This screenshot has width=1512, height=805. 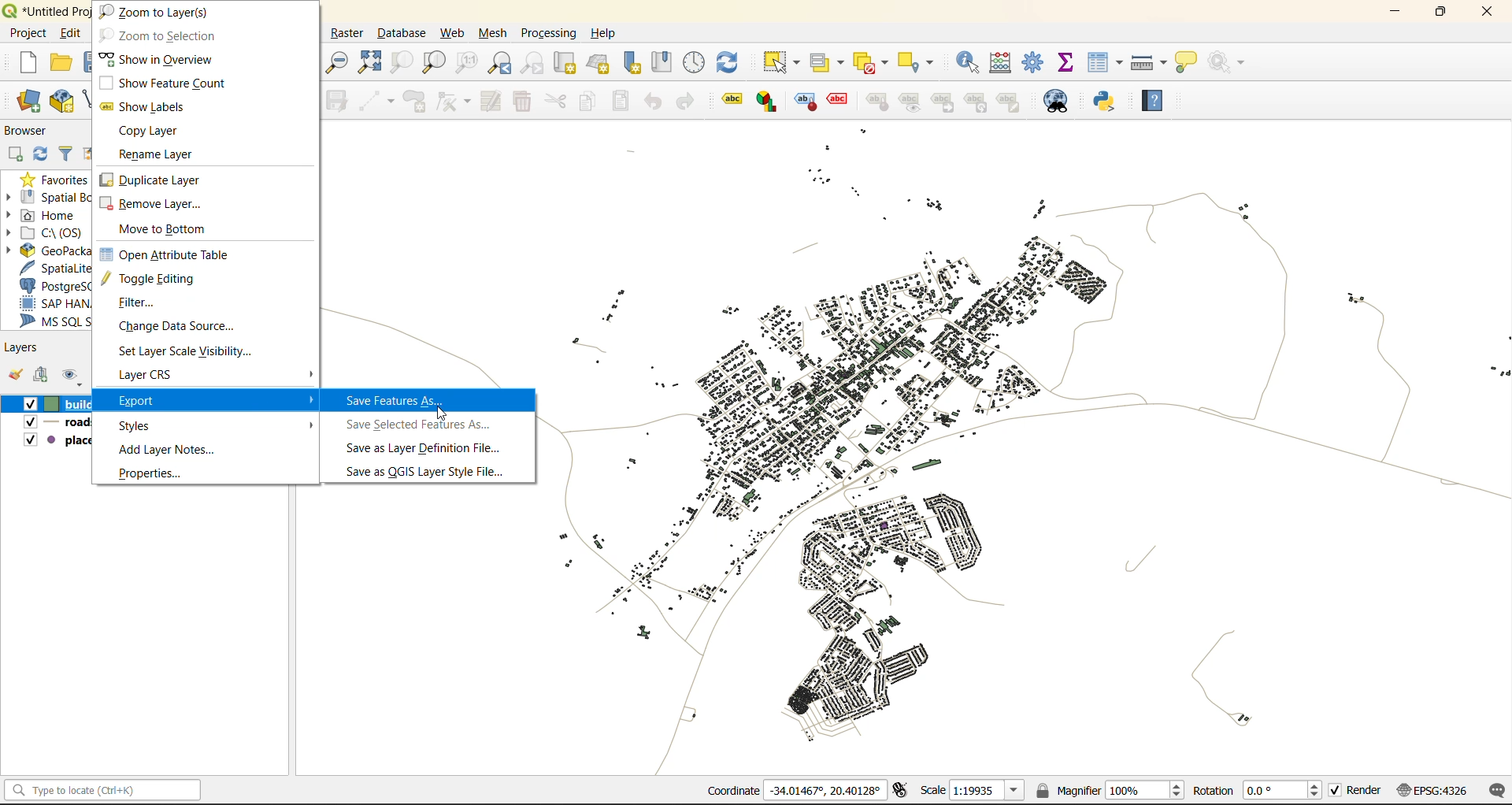 I want to click on refresh, so click(x=43, y=154).